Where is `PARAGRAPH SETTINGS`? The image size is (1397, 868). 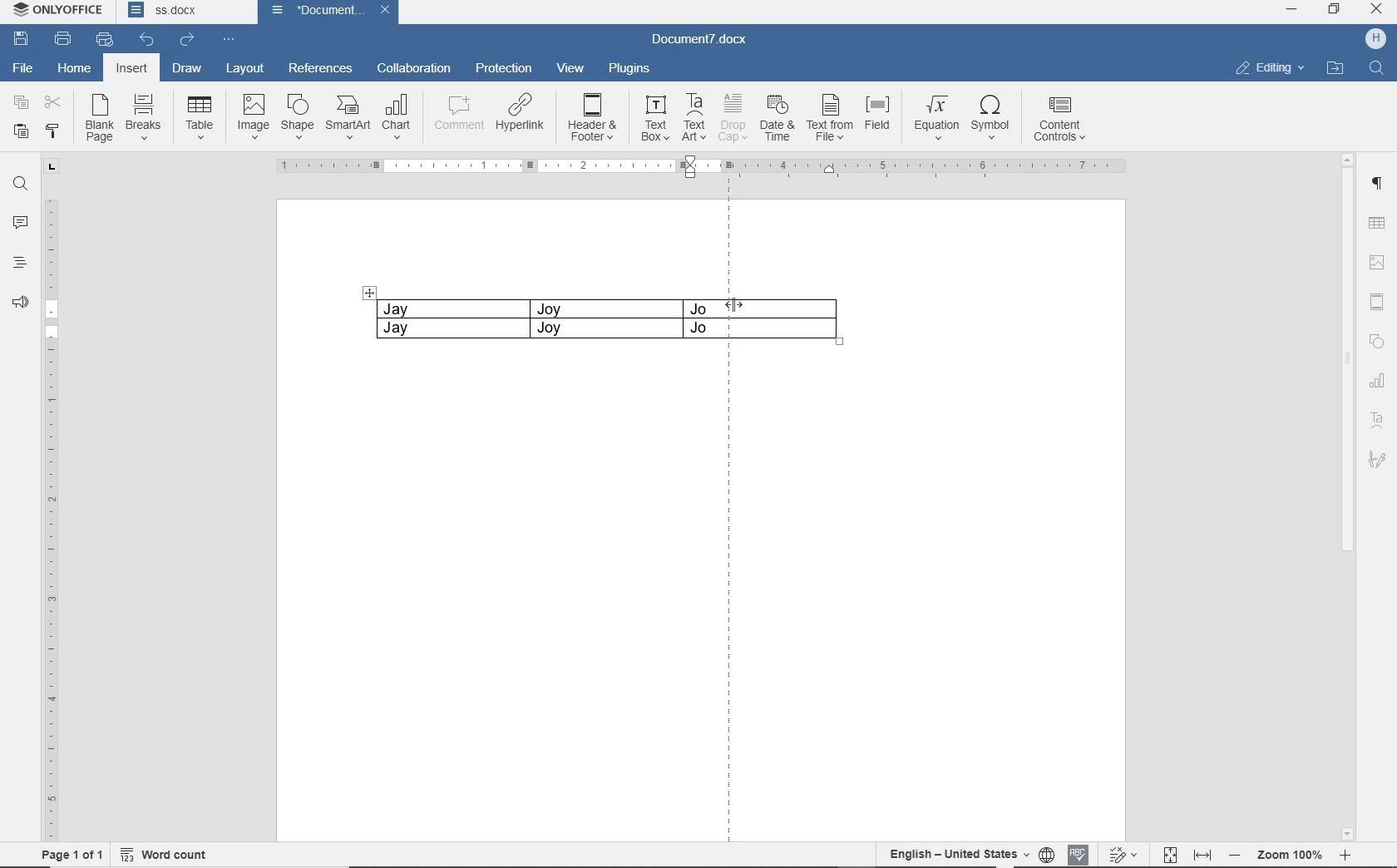 PARAGRAPH SETTINGS is located at coordinates (1378, 184).